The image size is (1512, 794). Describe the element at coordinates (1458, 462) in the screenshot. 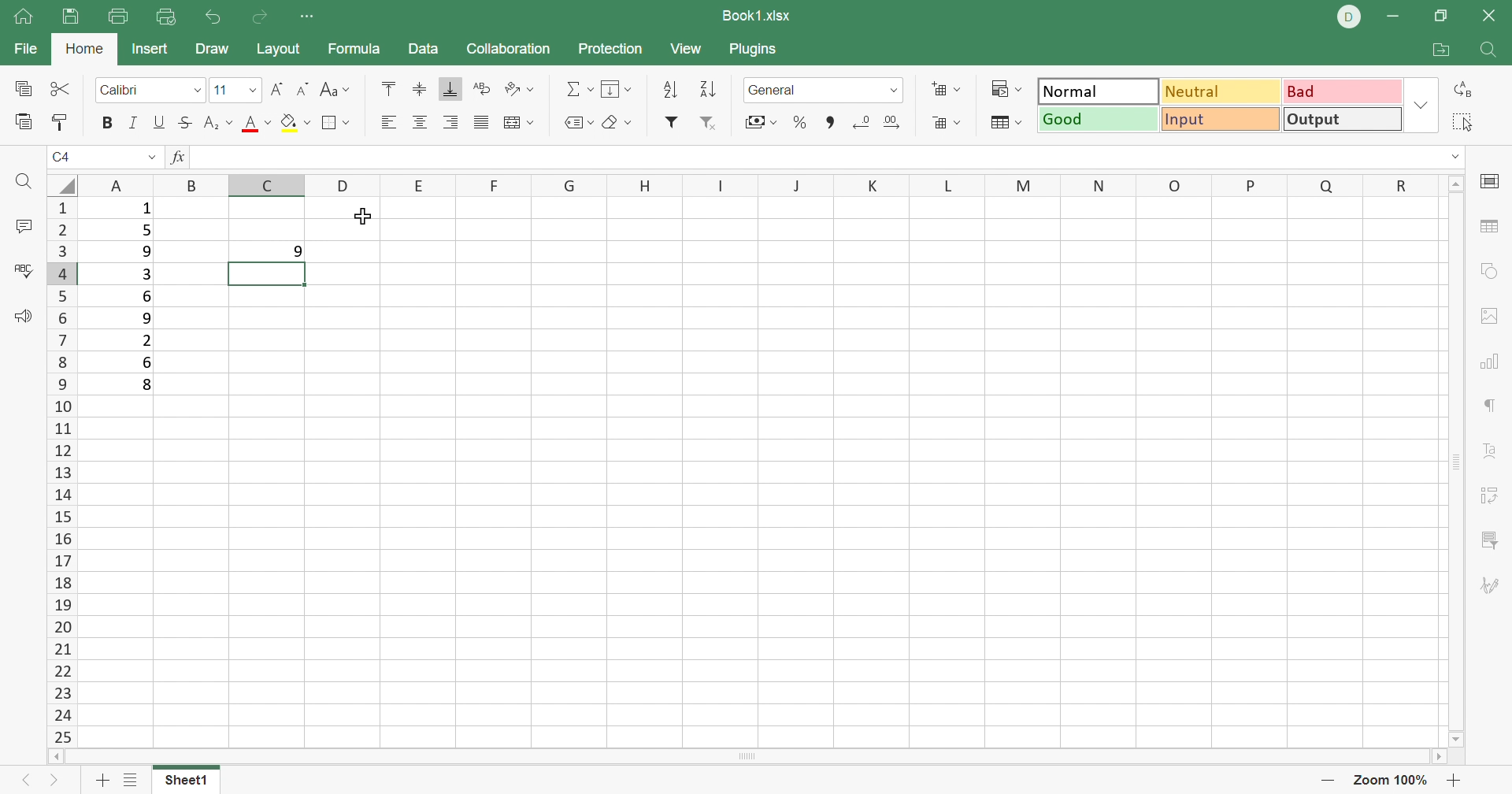

I see `Scroll Bar` at that location.